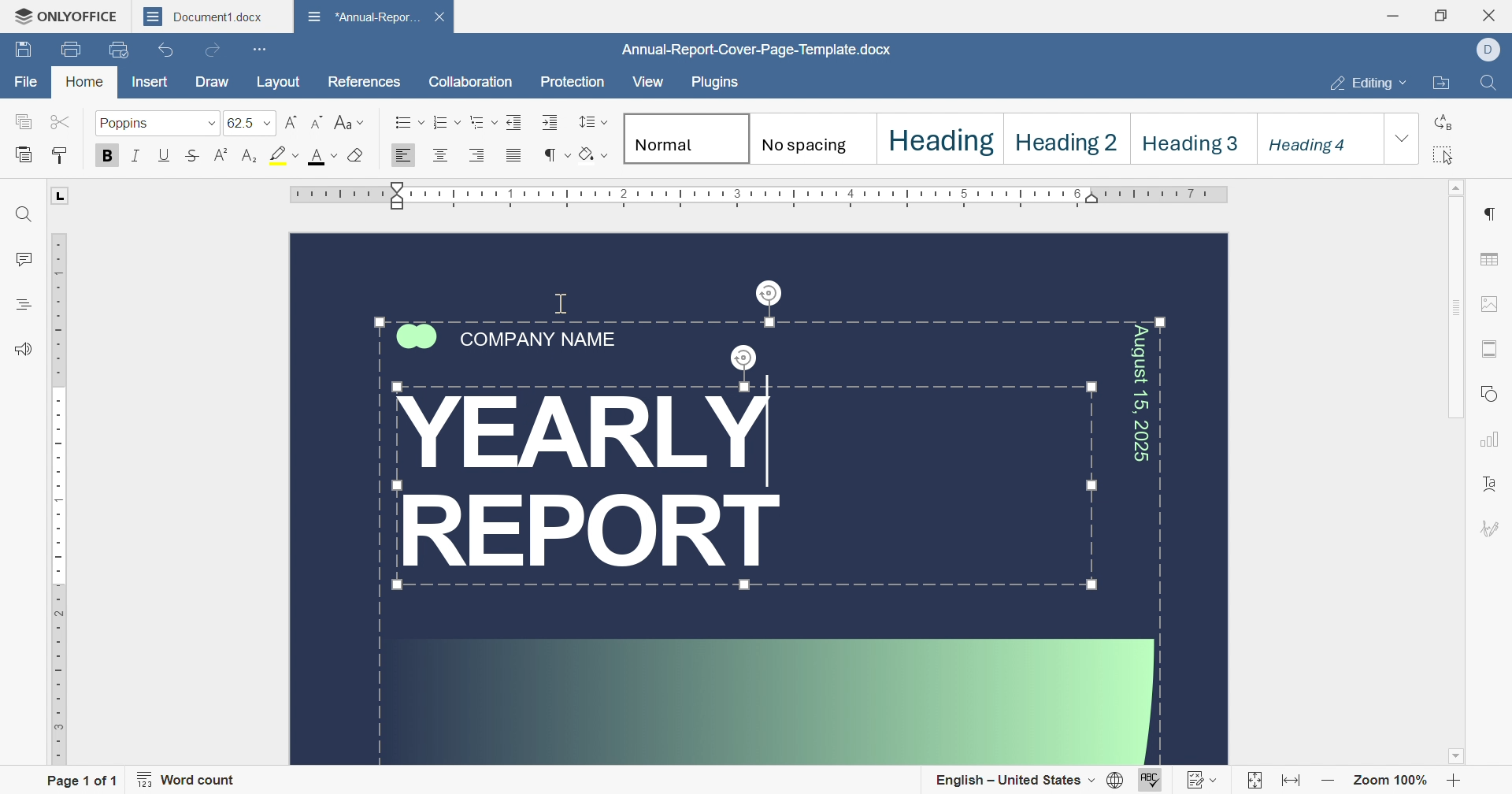 This screenshot has width=1512, height=794. Describe the element at coordinates (293, 122) in the screenshot. I see `increment font size` at that location.